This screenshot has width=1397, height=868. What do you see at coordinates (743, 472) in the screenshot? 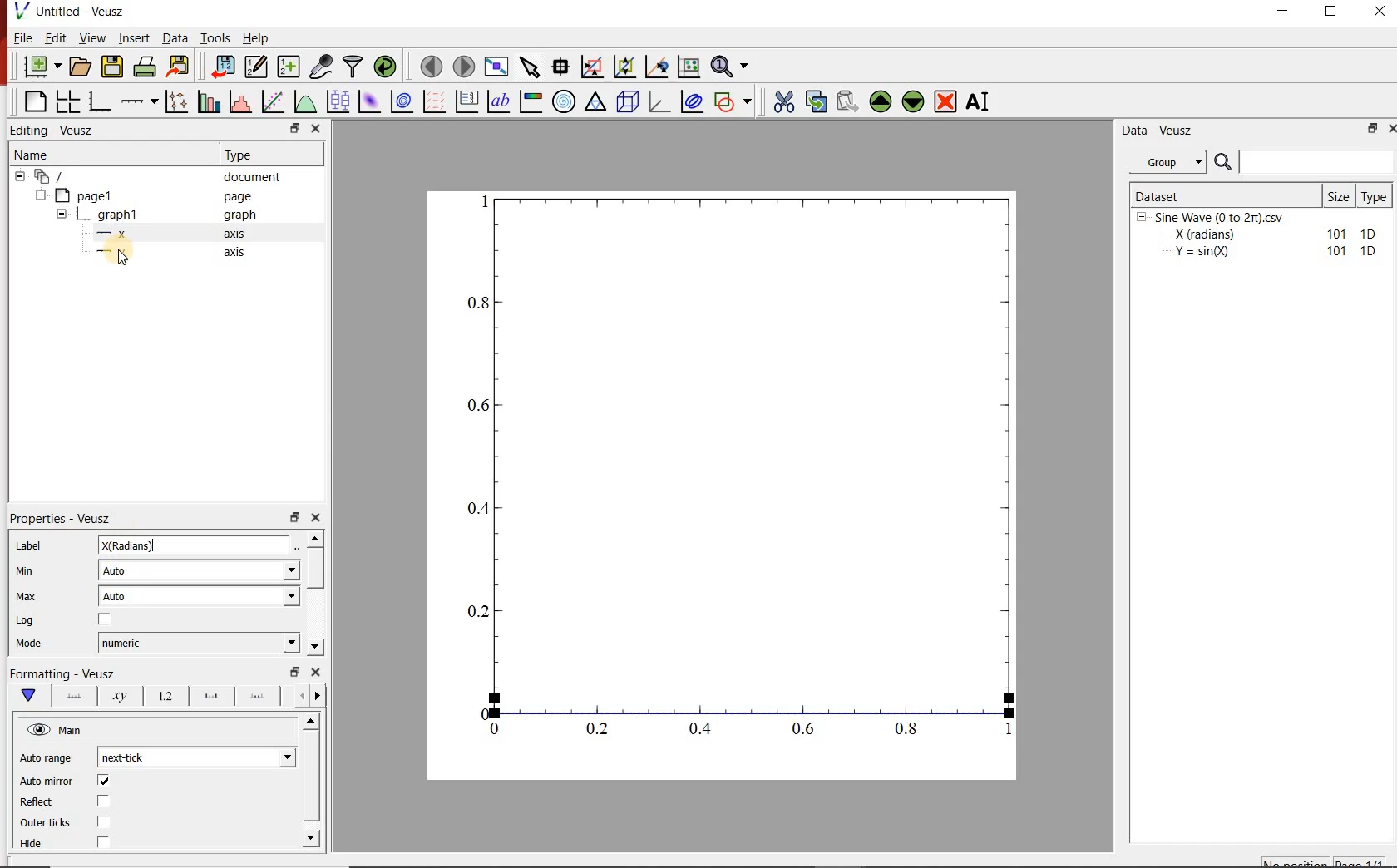
I see `BS —
0.8
0.6
0.4
0.2
0 0.2 0.4 0.6 0.8 1` at bounding box center [743, 472].